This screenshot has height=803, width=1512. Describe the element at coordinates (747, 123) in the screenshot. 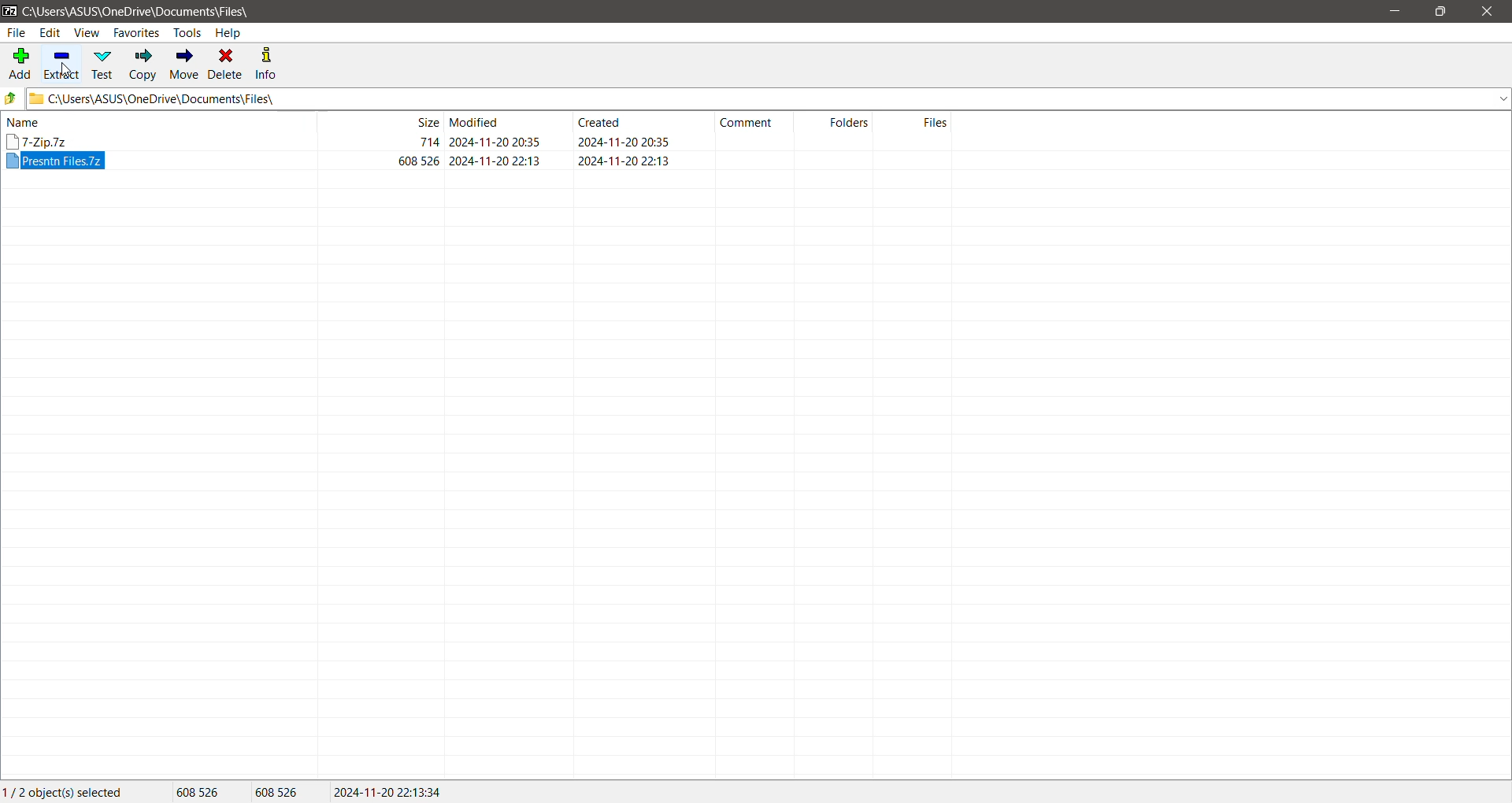

I see `comment` at that location.